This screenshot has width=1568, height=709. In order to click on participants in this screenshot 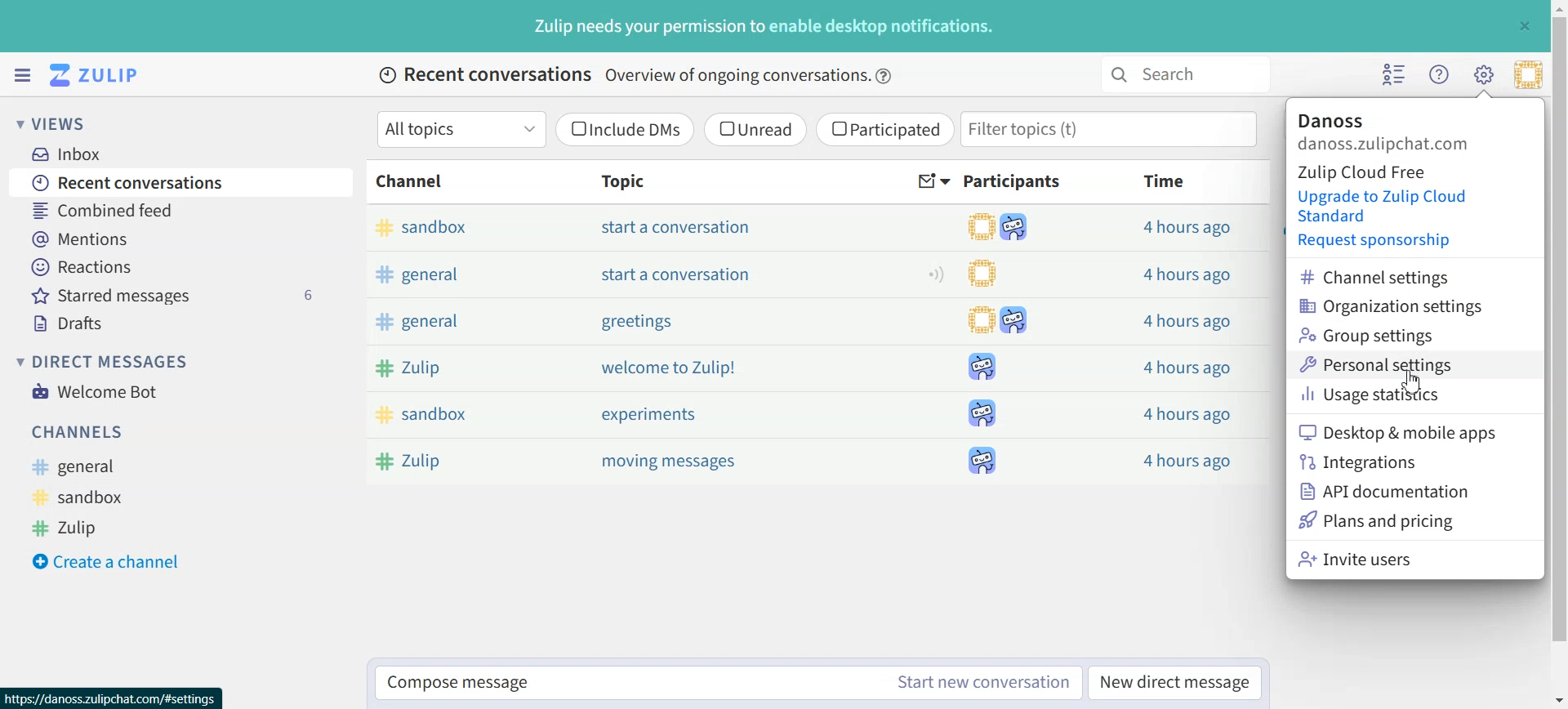, I will do `click(1002, 344)`.